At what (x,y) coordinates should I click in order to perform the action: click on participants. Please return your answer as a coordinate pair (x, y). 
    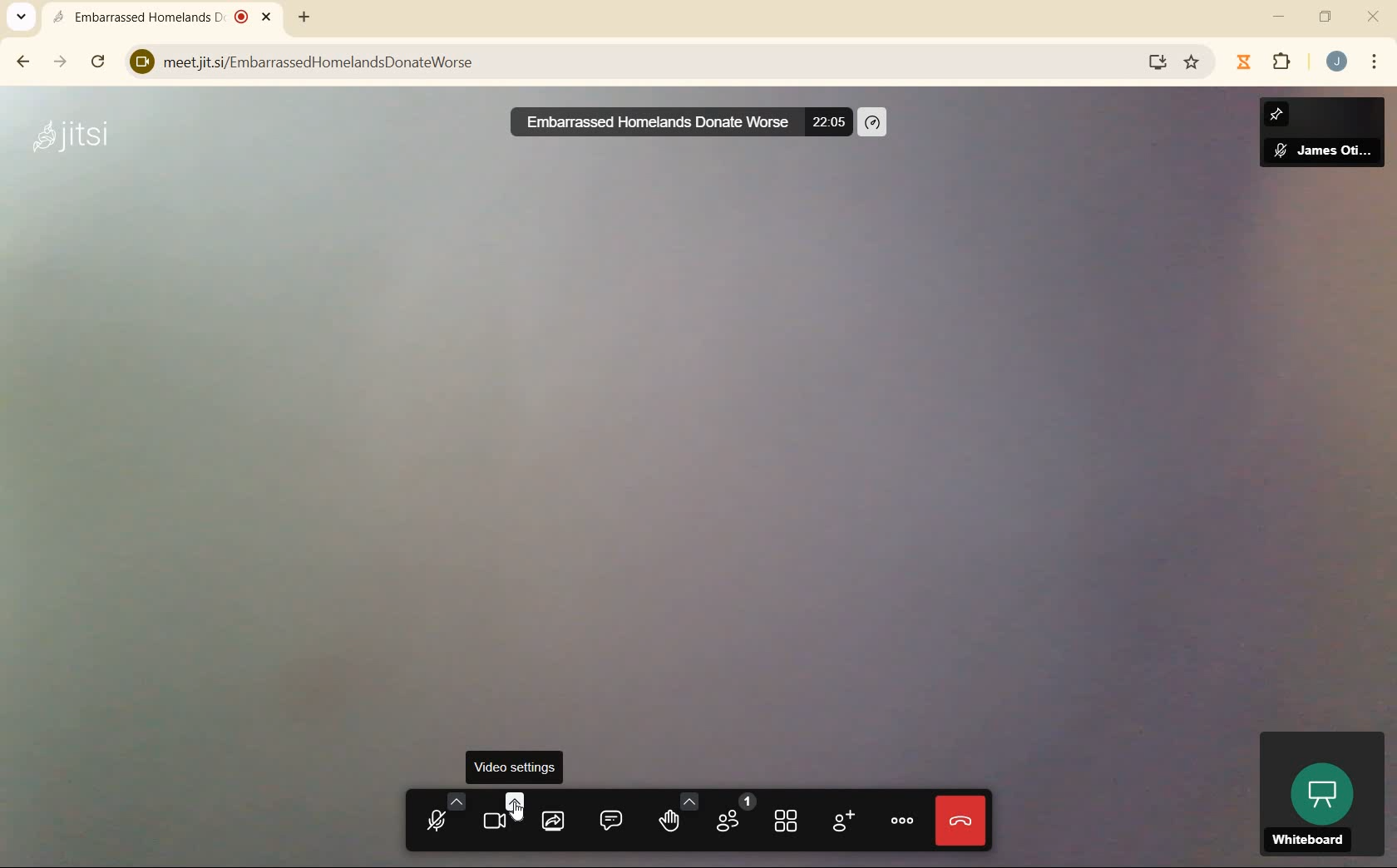
    Looking at the image, I should click on (733, 816).